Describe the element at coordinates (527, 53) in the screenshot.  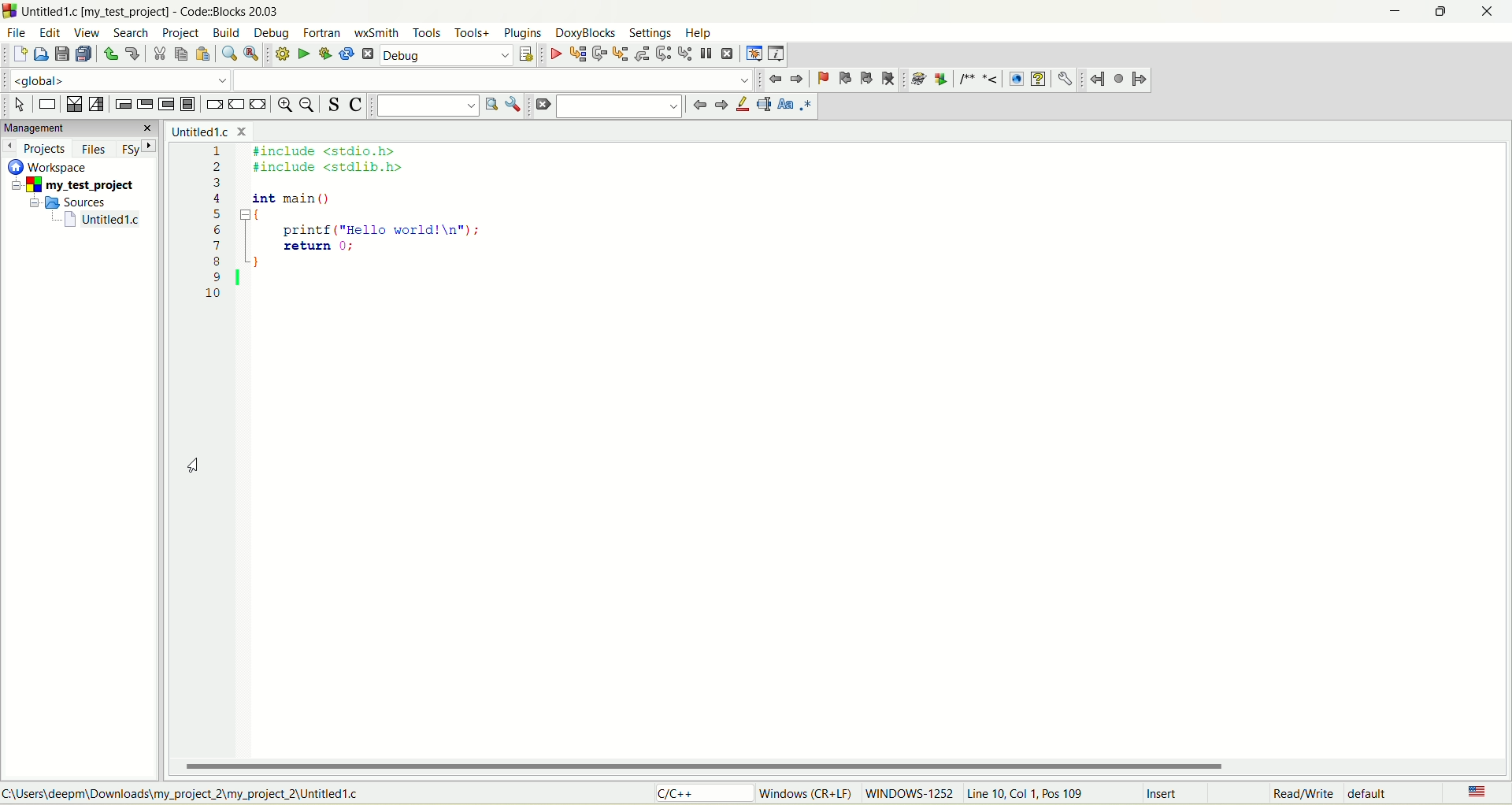
I see `select target dialog` at that location.